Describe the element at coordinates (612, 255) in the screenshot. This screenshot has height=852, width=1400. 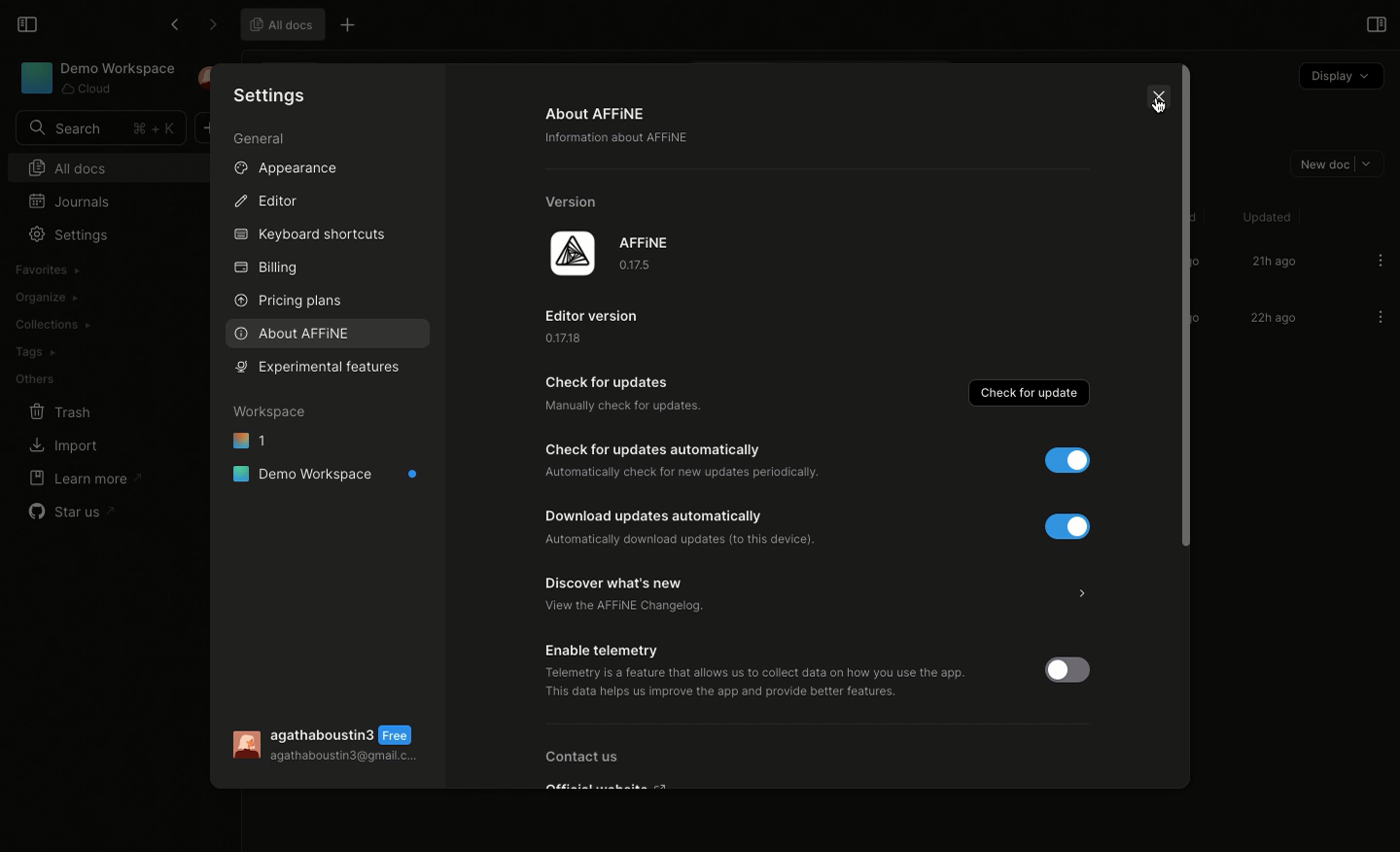
I see `AFFINE` at that location.